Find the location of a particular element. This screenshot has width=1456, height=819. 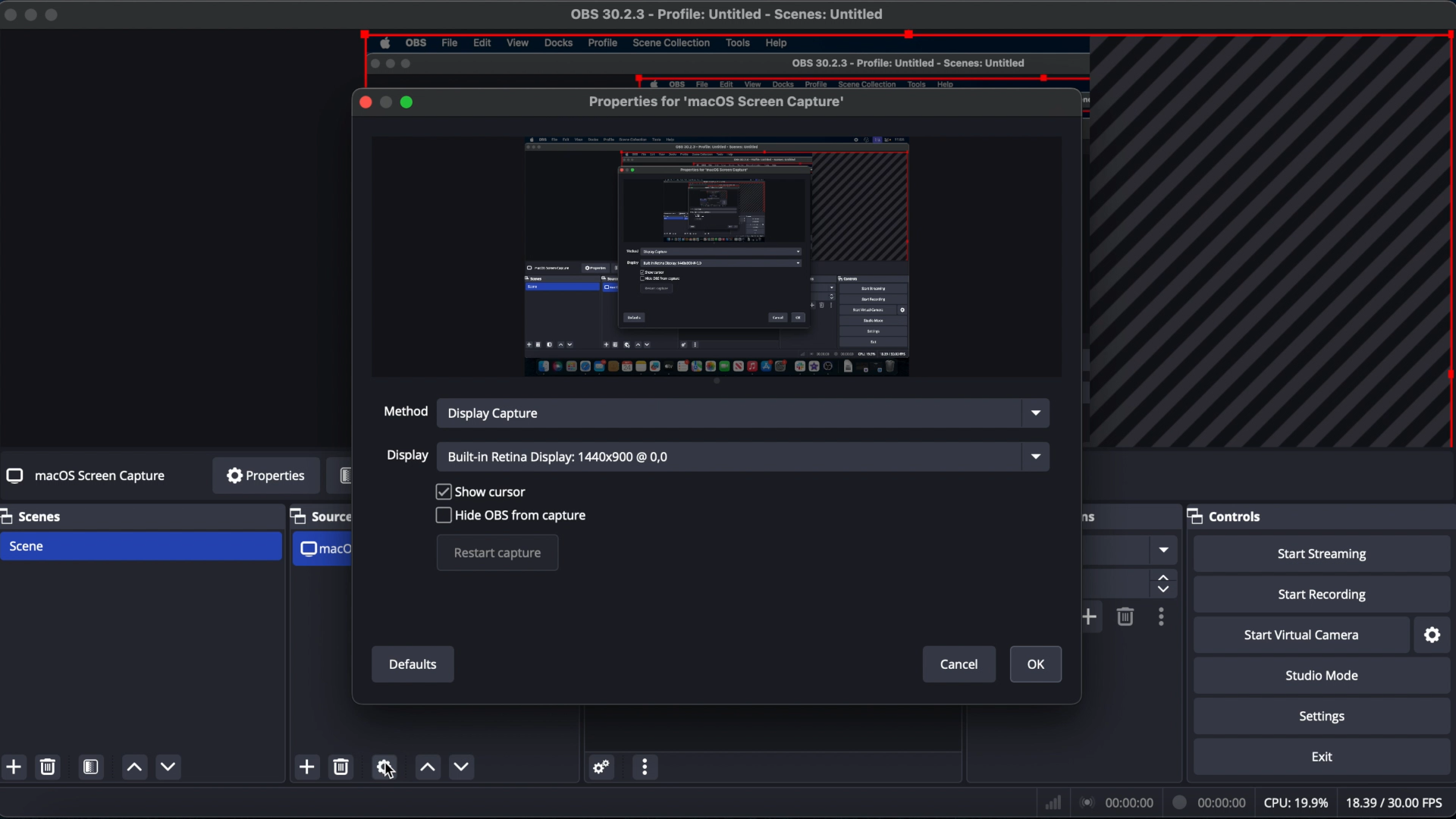

no source selected is located at coordinates (96, 474).